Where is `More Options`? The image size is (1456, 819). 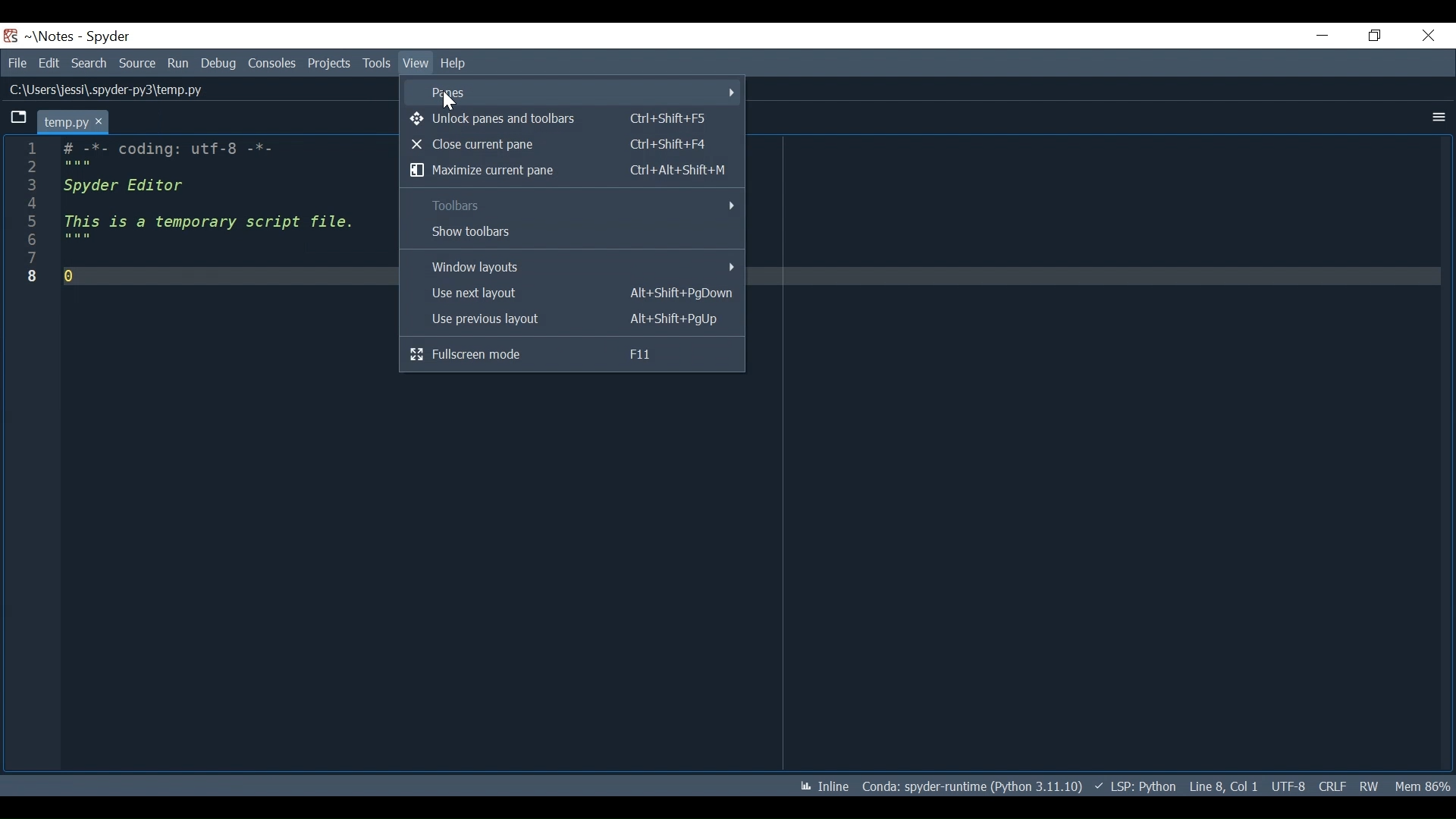
More Options is located at coordinates (1437, 118).